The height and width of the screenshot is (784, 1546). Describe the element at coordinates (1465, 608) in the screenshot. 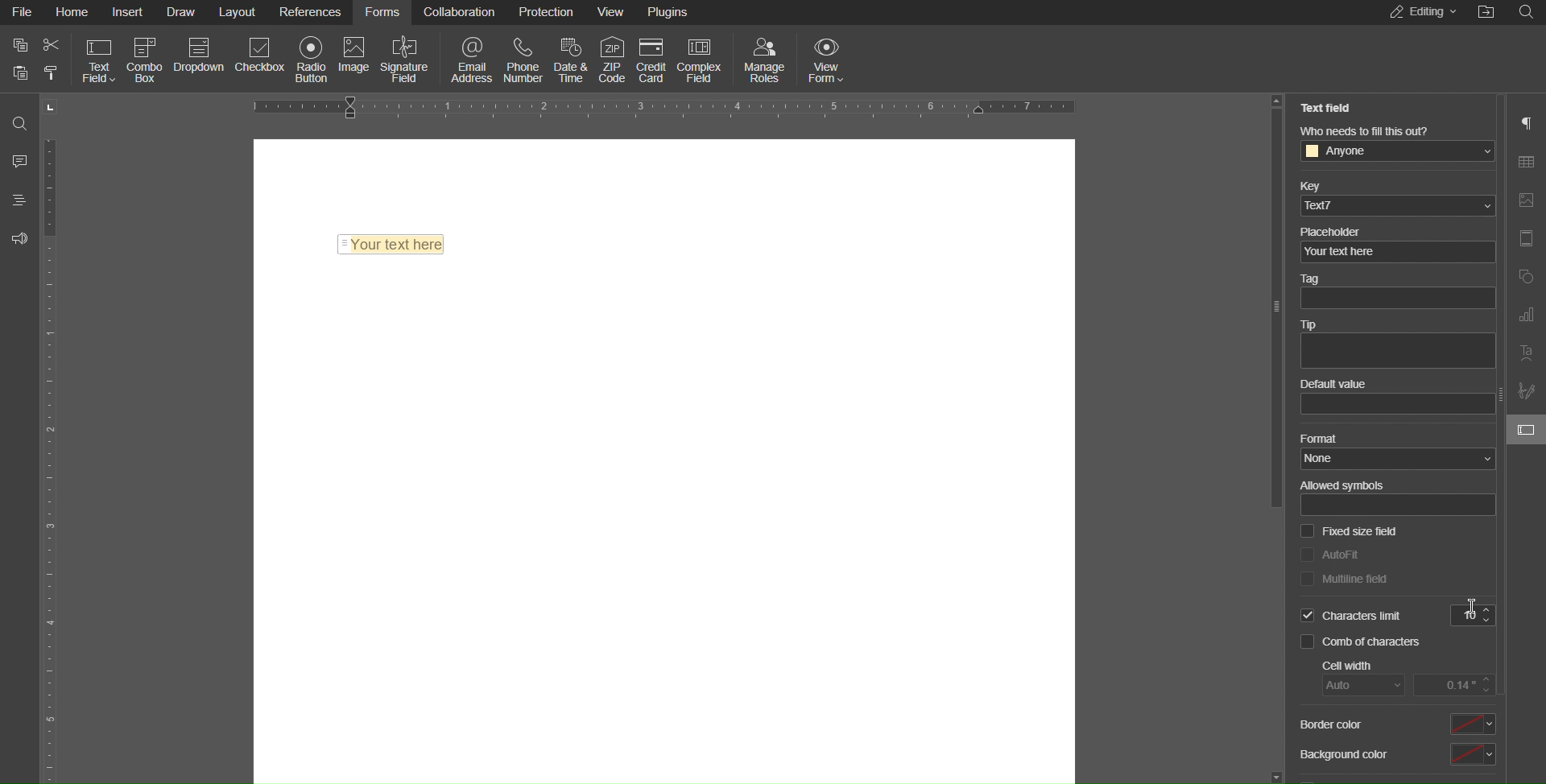

I see `cursor` at that location.